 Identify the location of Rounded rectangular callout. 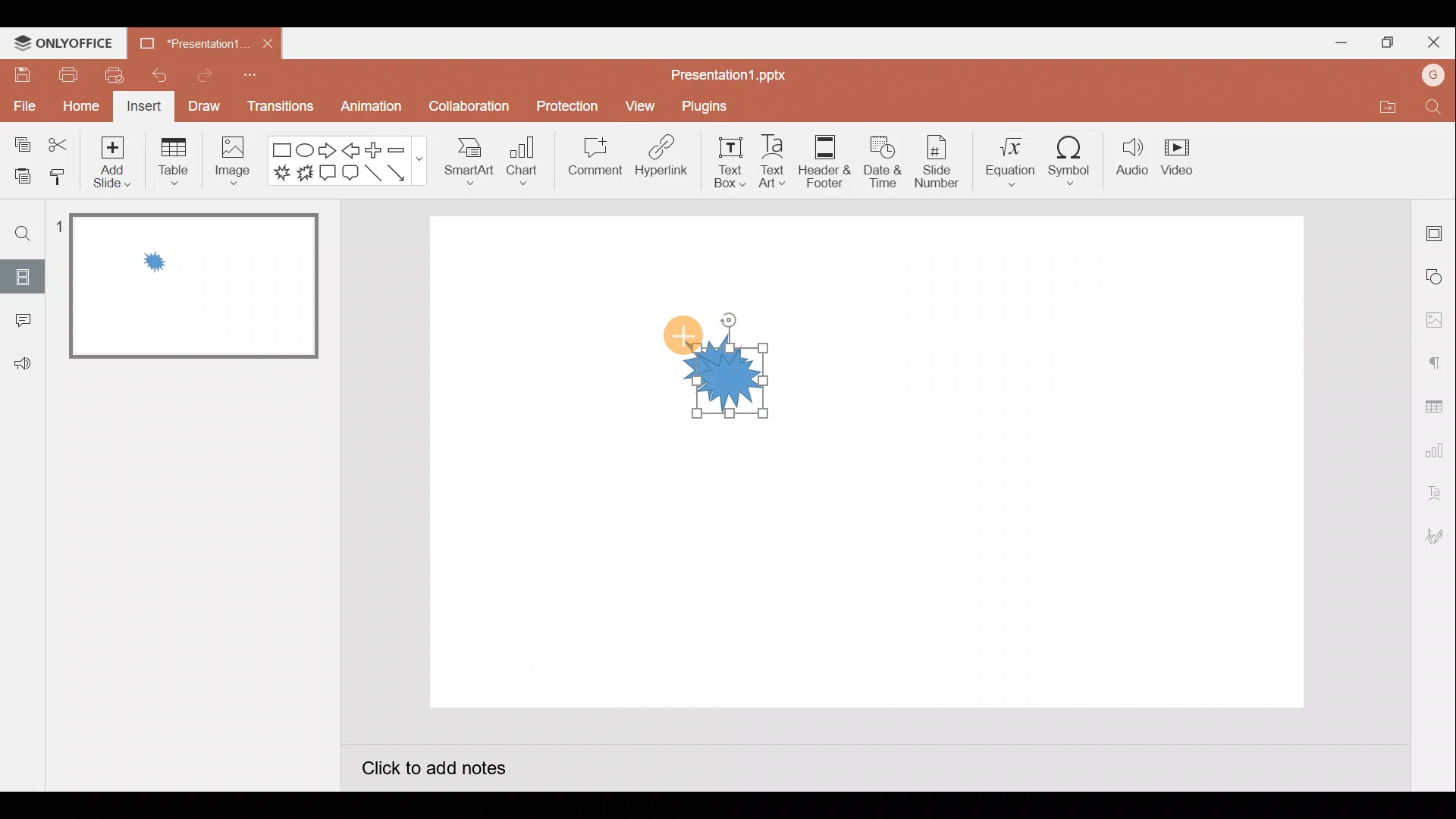
(350, 174).